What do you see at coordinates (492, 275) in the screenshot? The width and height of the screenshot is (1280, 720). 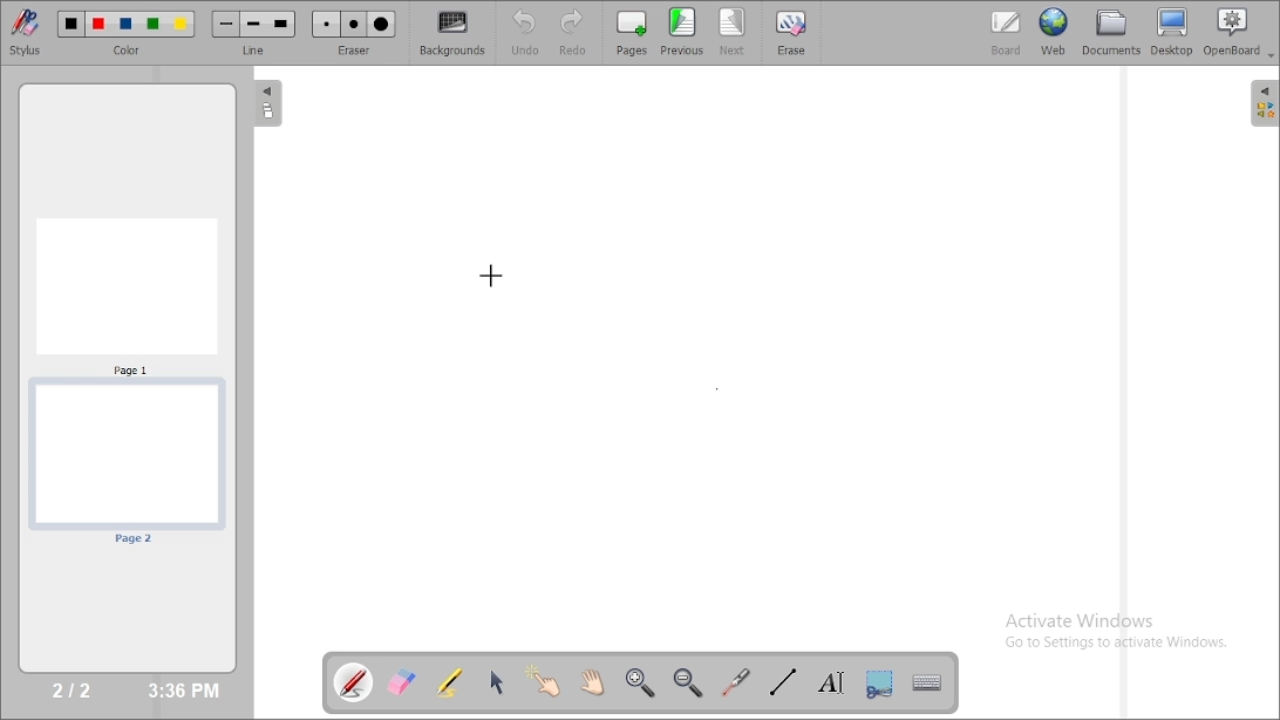 I see `cursor` at bounding box center [492, 275].